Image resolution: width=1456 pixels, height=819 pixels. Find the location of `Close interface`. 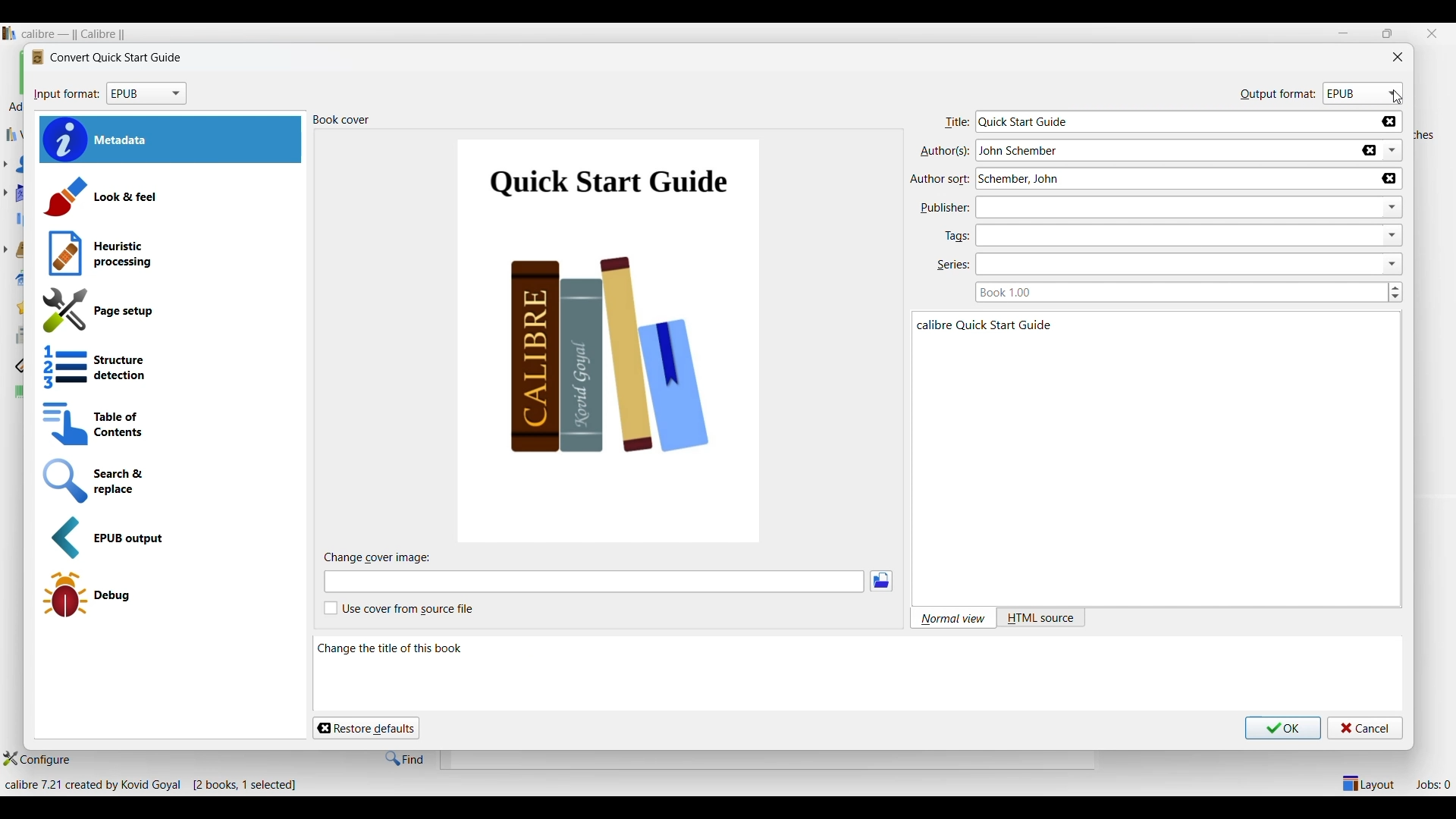

Close interface is located at coordinates (1432, 34).